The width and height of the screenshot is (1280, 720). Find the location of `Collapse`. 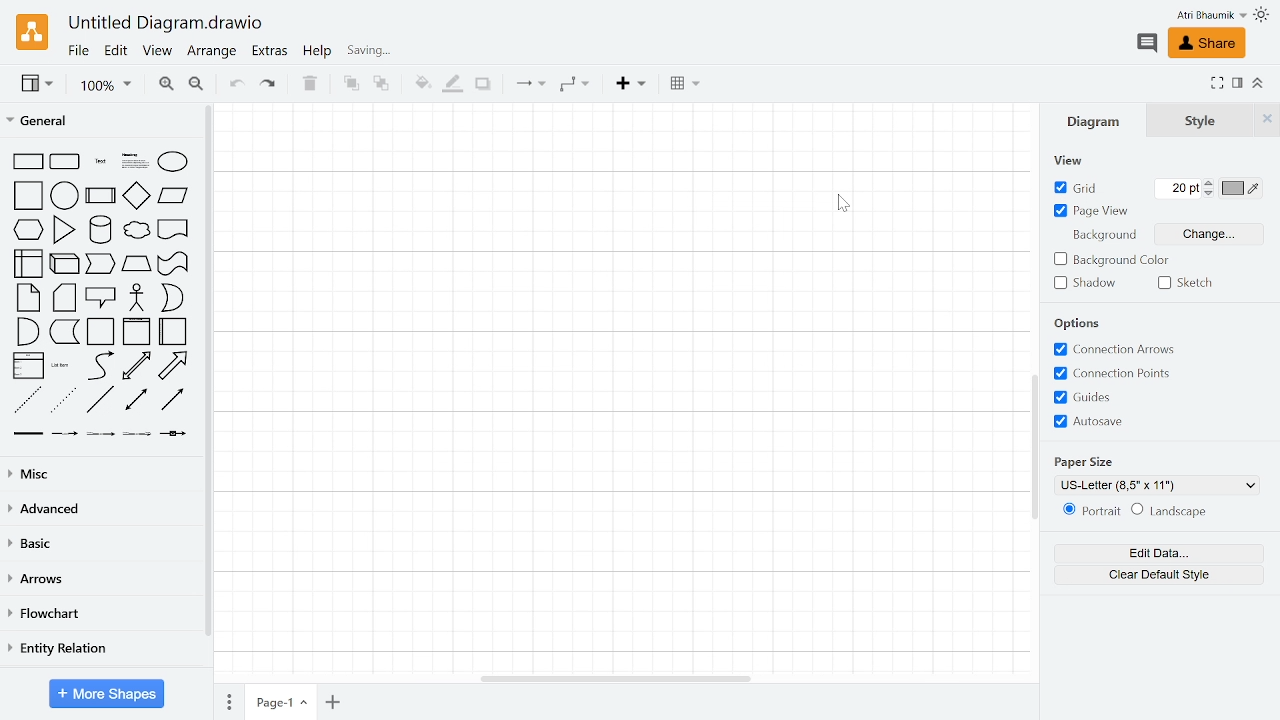

Collapse is located at coordinates (1258, 84).